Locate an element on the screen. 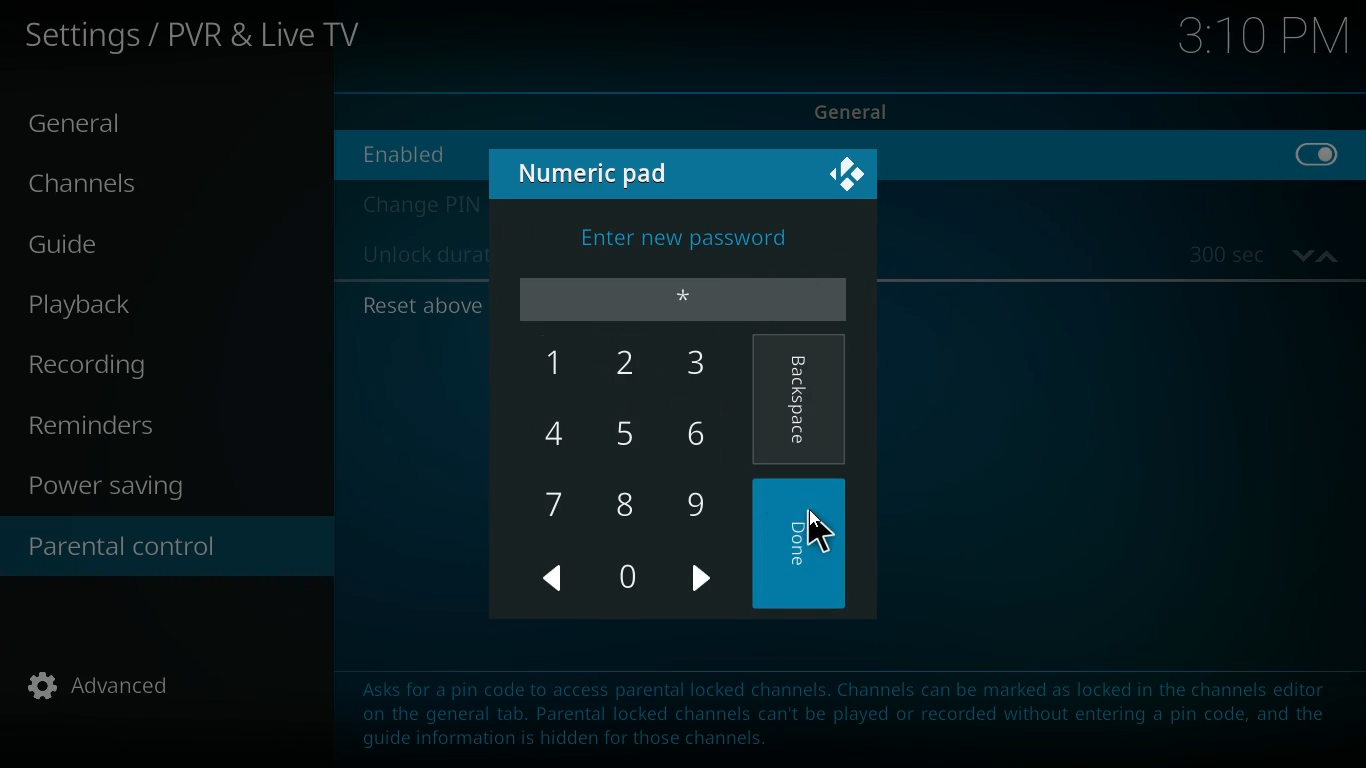  left is located at coordinates (555, 579).